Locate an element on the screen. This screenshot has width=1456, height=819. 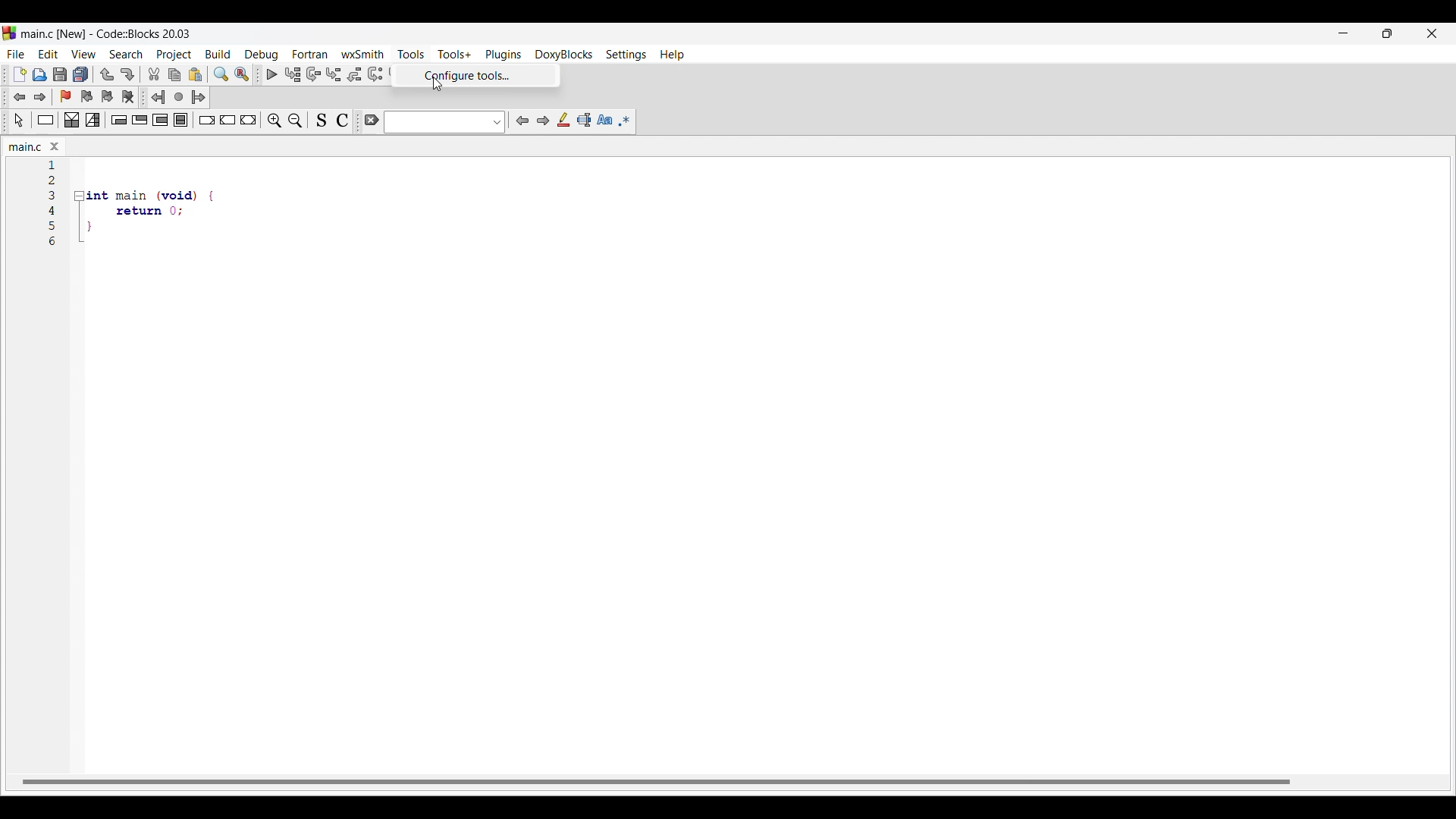
Jump back is located at coordinates (20, 97).